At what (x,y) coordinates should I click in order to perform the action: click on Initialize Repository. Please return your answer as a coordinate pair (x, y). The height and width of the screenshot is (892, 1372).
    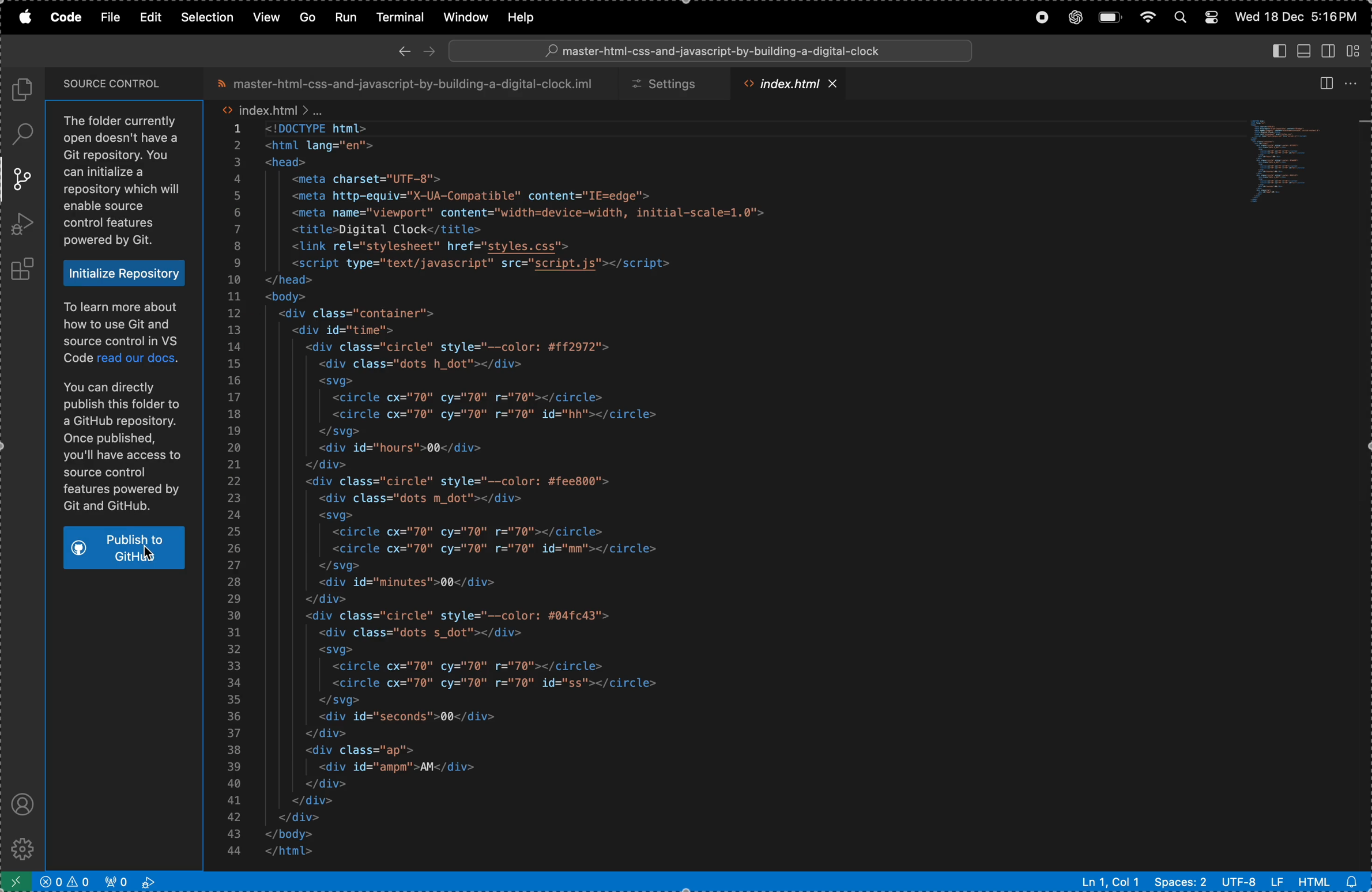
    Looking at the image, I should click on (125, 274).